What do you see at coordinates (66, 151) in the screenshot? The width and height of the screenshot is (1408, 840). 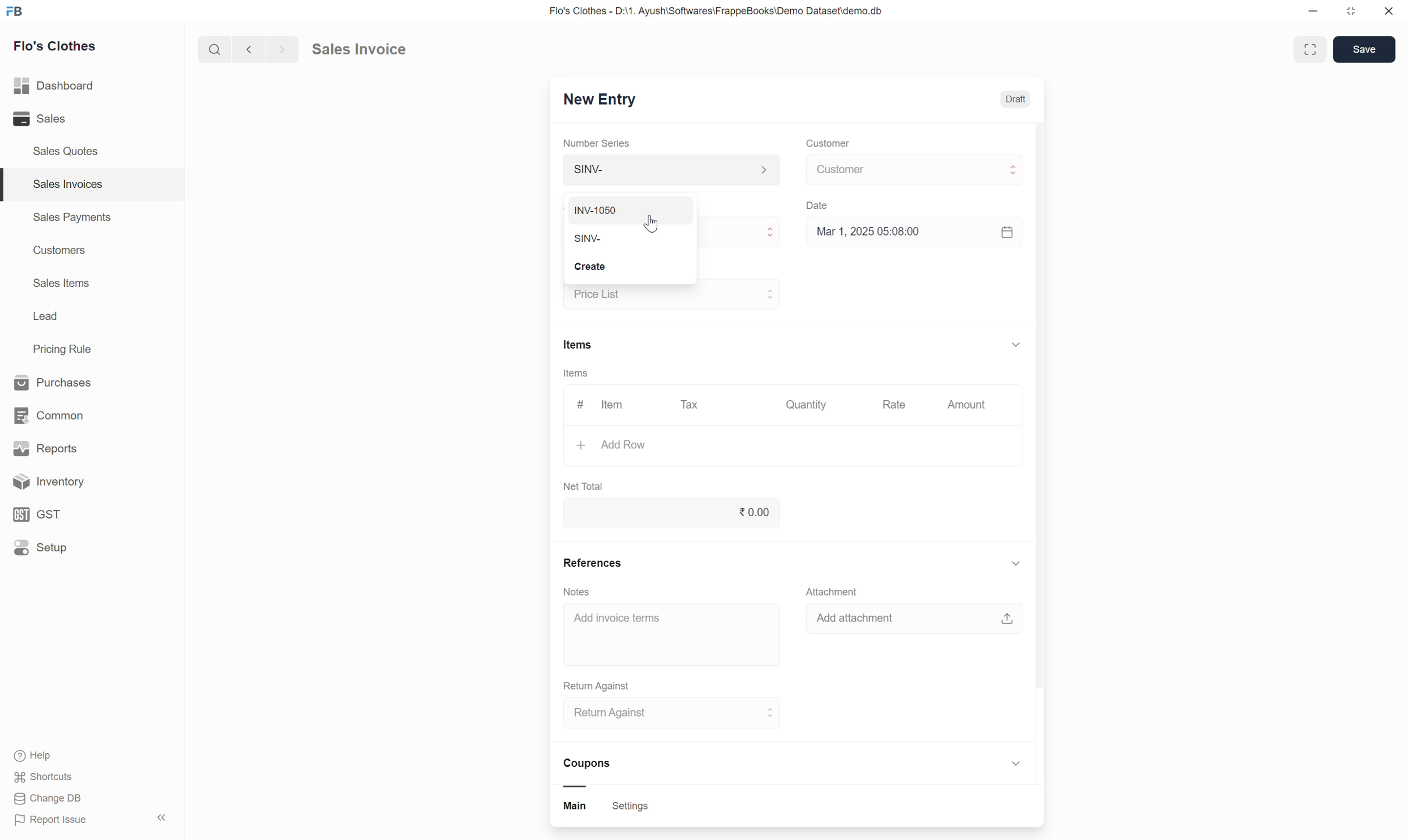 I see `Sales Quotes` at bounding box center [66, 151].